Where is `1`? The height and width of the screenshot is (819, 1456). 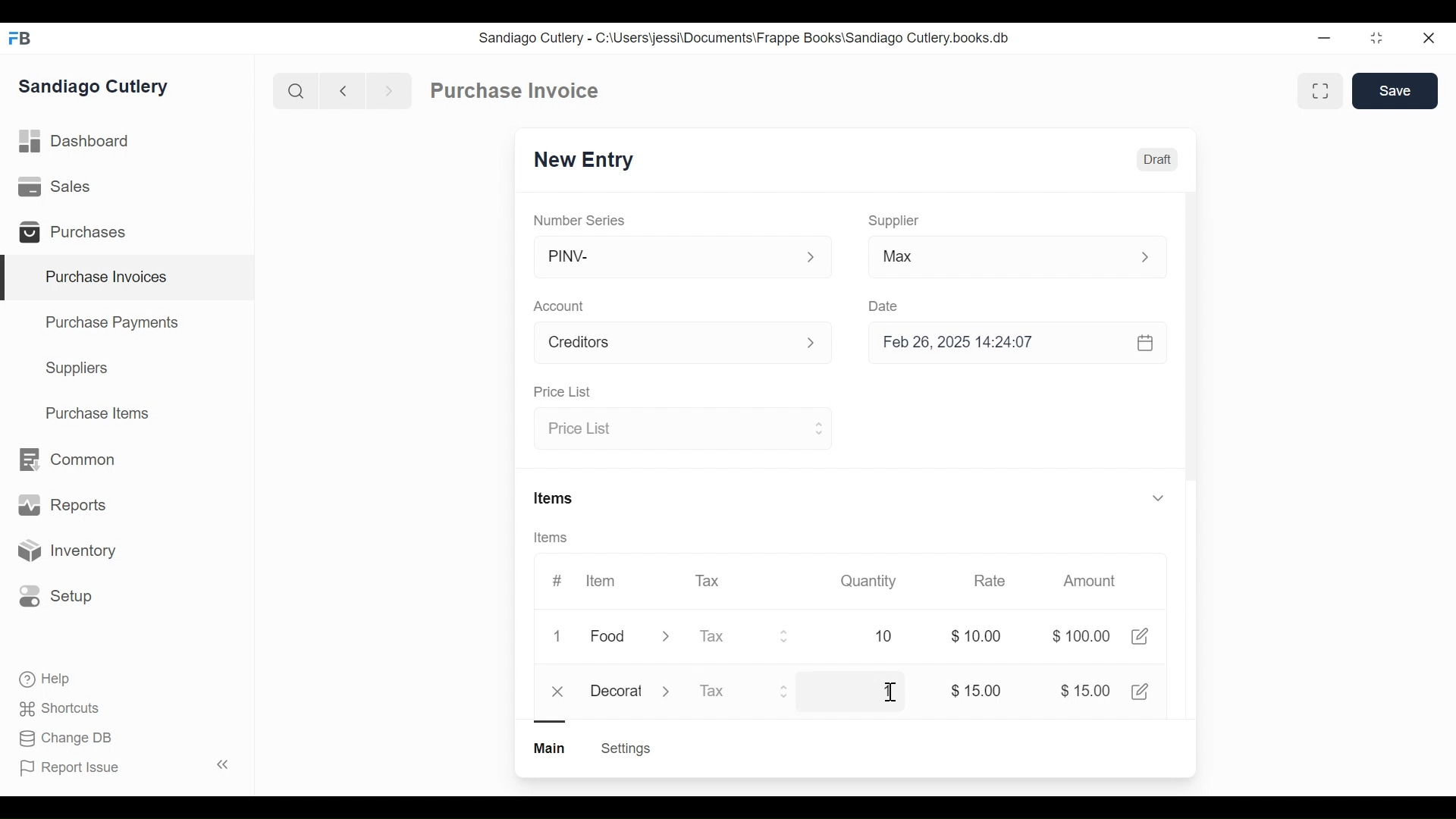
1 is located at coordinates (880, 692).